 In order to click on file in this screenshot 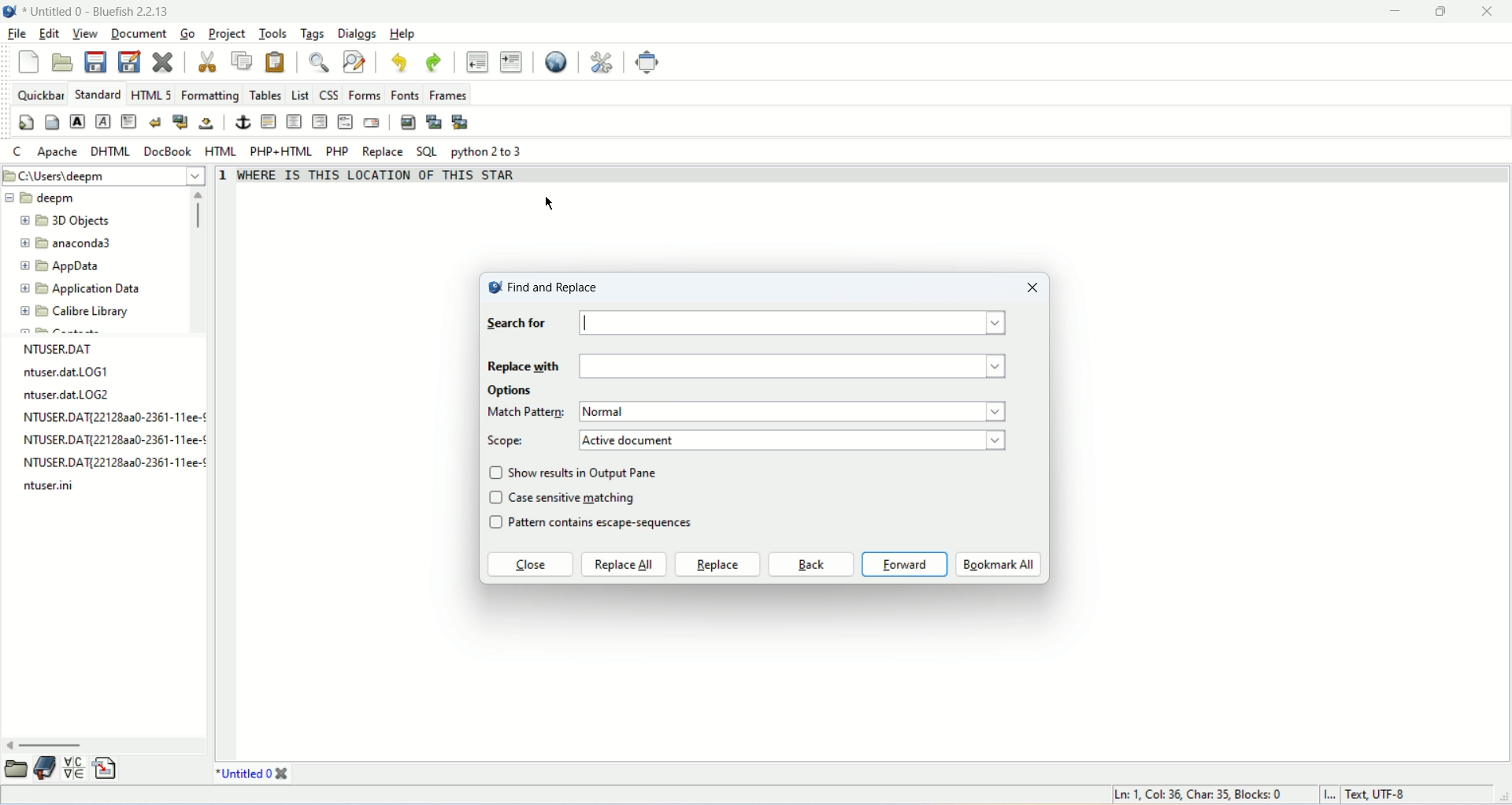, I will do `click(15, 33)`.